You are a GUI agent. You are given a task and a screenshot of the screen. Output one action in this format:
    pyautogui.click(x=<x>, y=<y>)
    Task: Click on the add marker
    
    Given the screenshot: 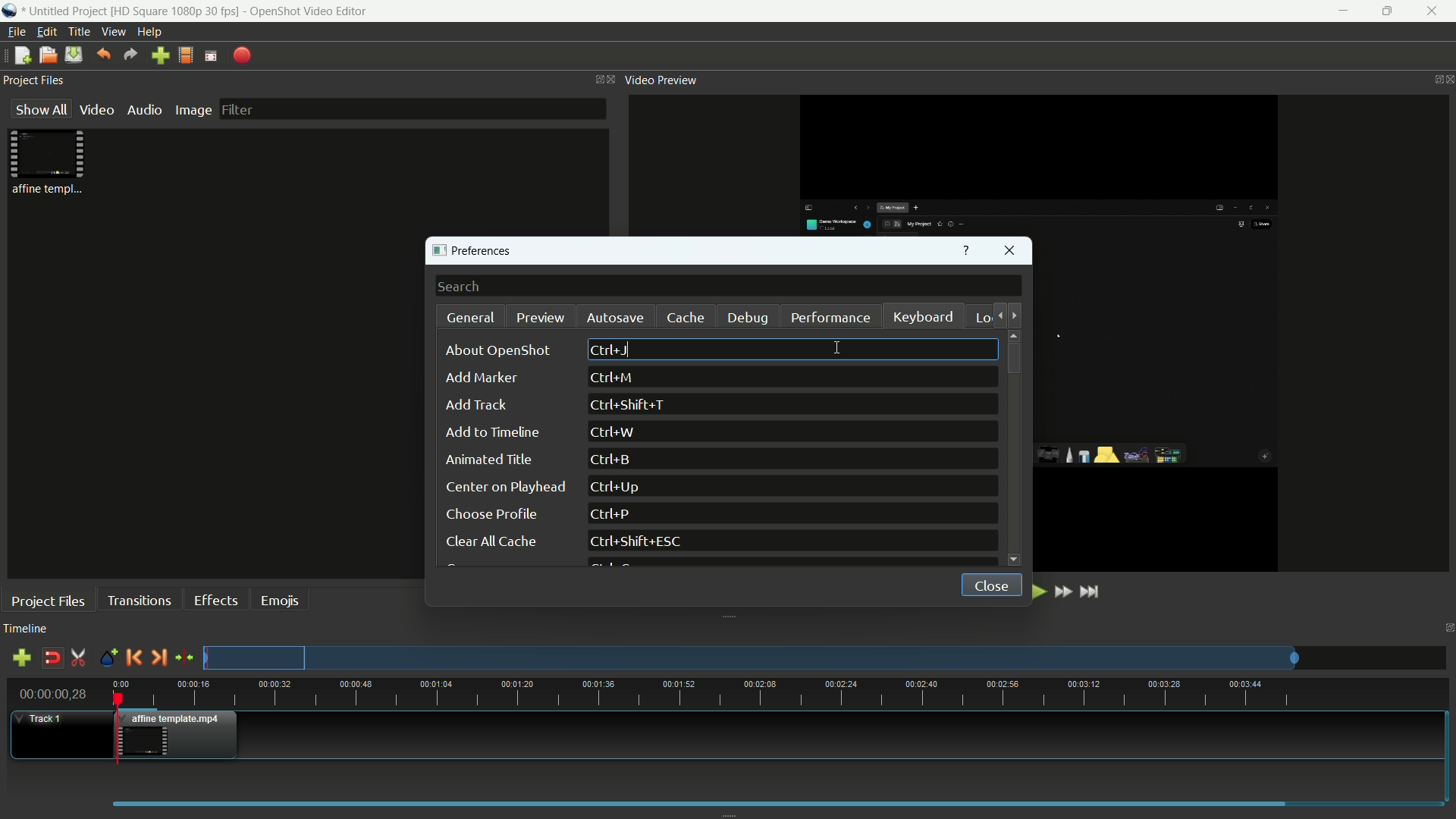 What is the action you would take?
    pyautogui.click(x=480, y=379)
    